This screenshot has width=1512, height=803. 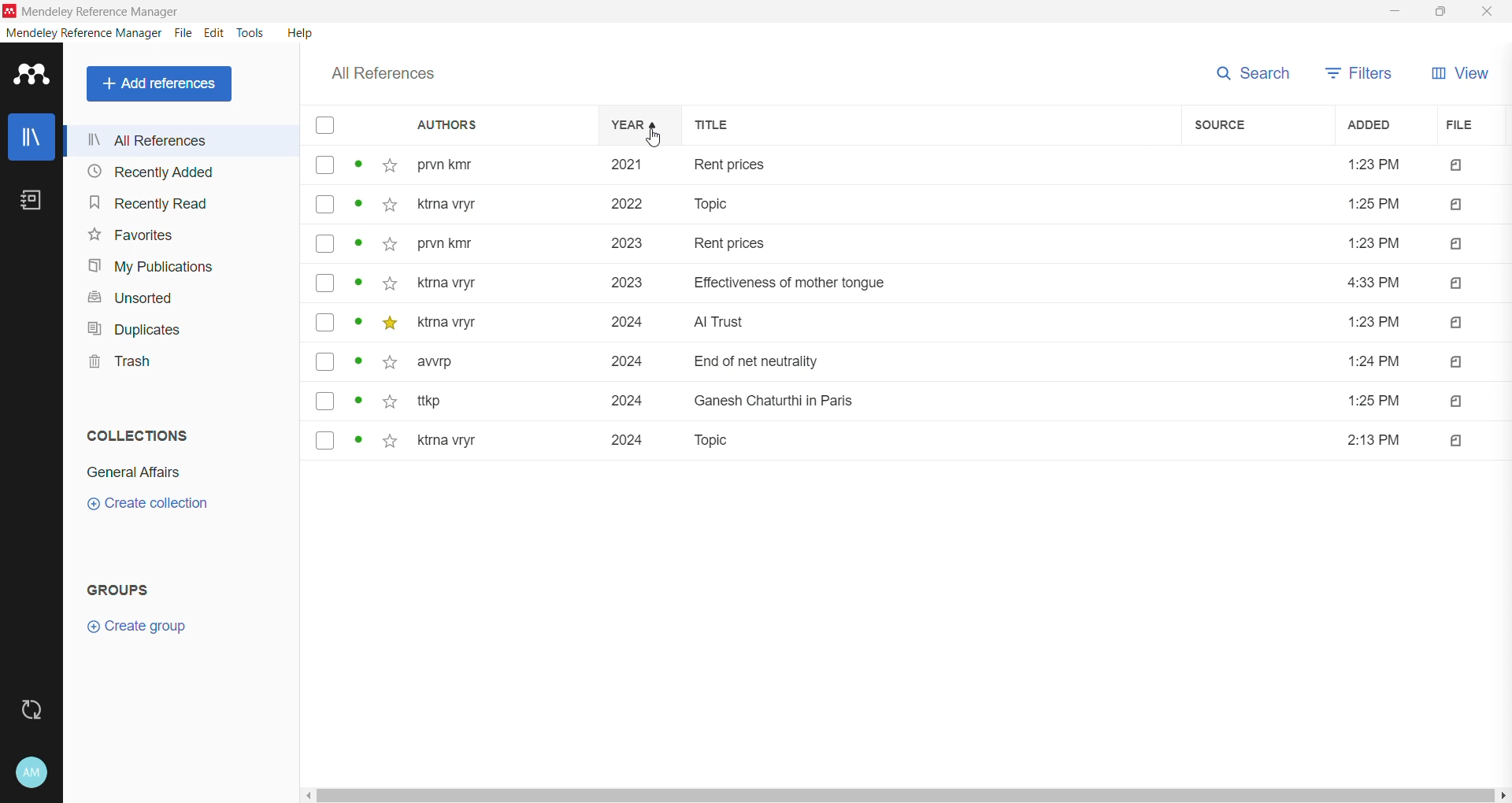 I want to click on select, so click(x=326, y=440).